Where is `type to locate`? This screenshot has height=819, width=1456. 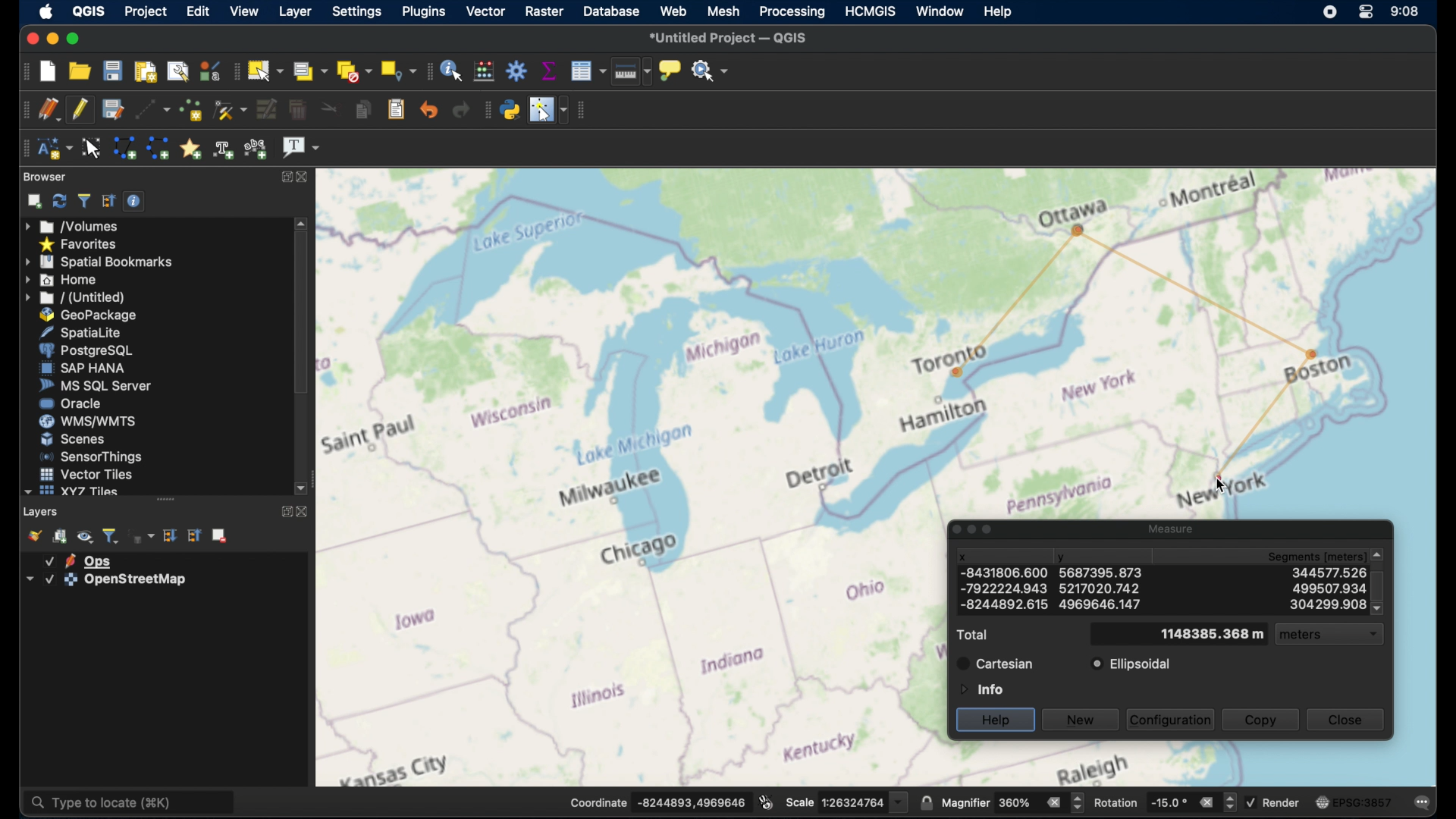
type to locate is located at coordinates (133, 801).